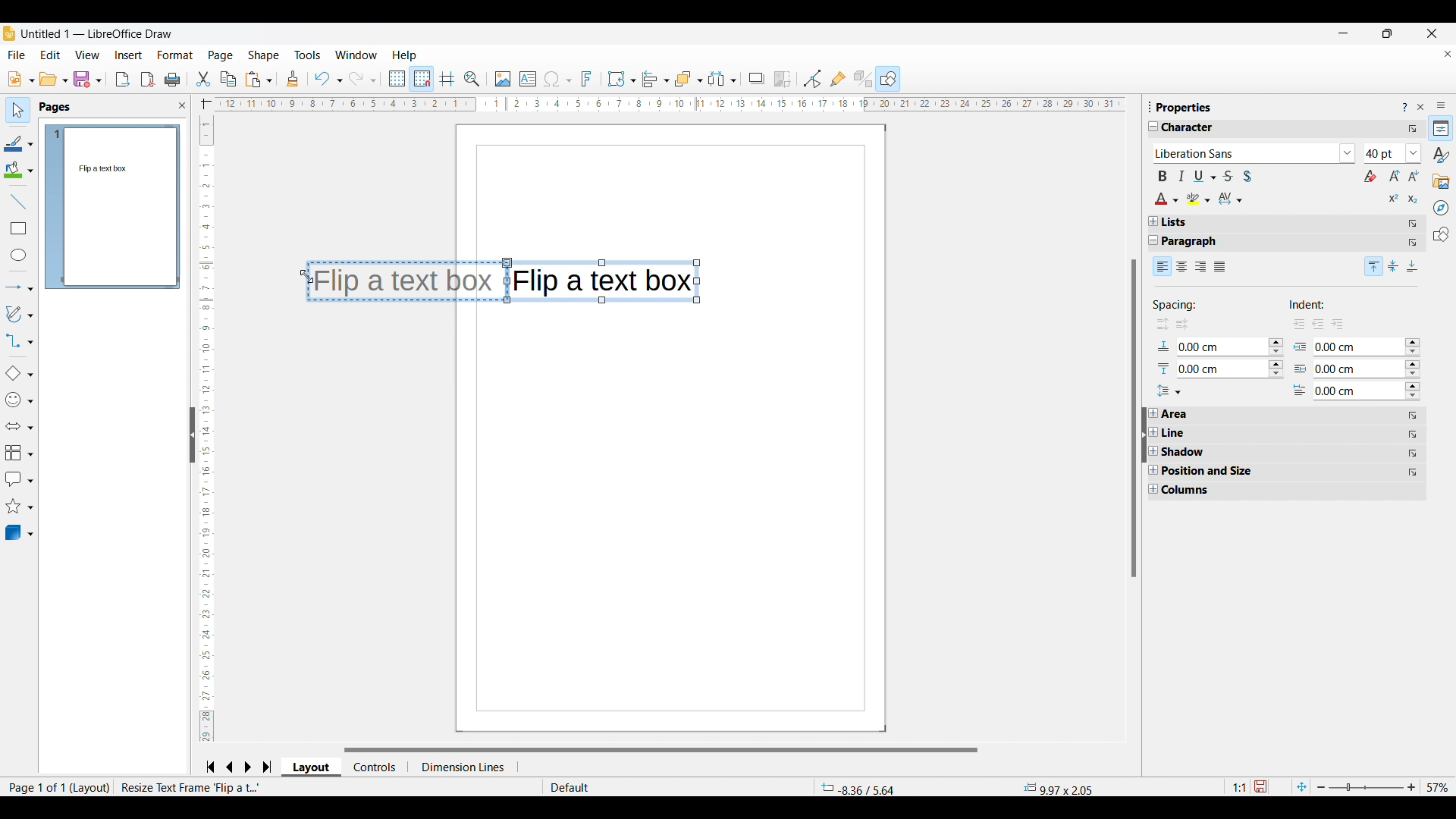 The image size is (1456, 819). Describe the element at coordinates (1144, 435) in the screenshot. I see `Click to collapse sidebar` at that location.